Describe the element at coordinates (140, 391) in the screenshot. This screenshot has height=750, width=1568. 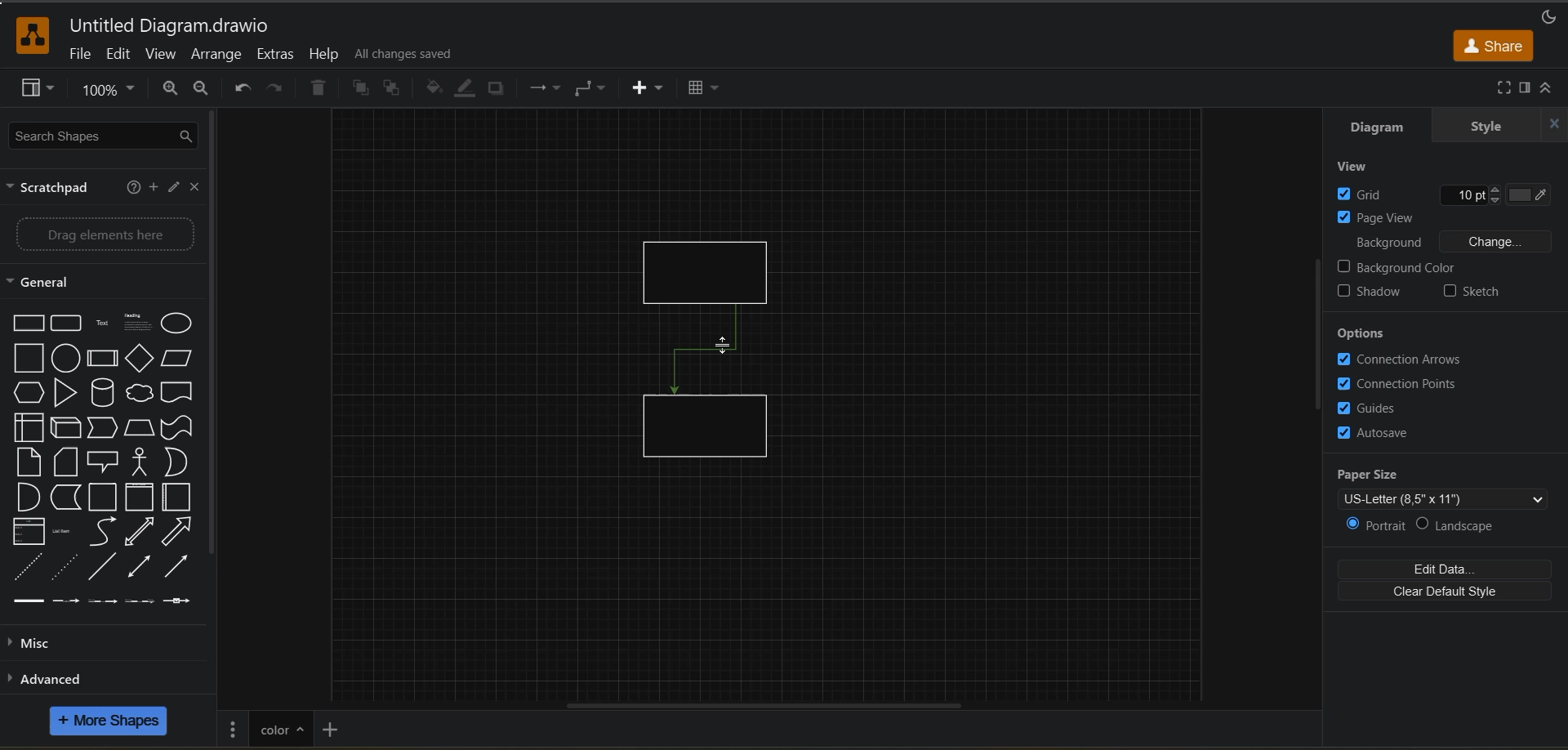
I see `Cloud` at that location.